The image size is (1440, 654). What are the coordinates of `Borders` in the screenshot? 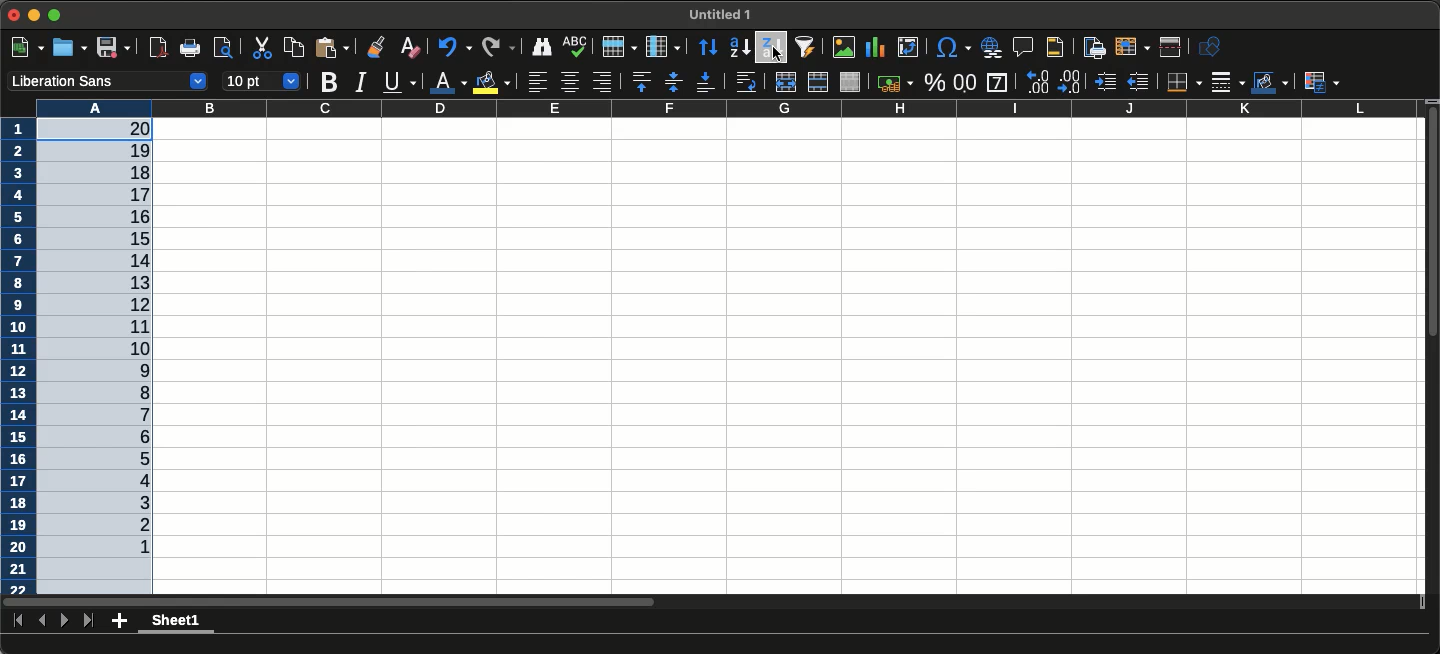 It's located at (1181, 83).